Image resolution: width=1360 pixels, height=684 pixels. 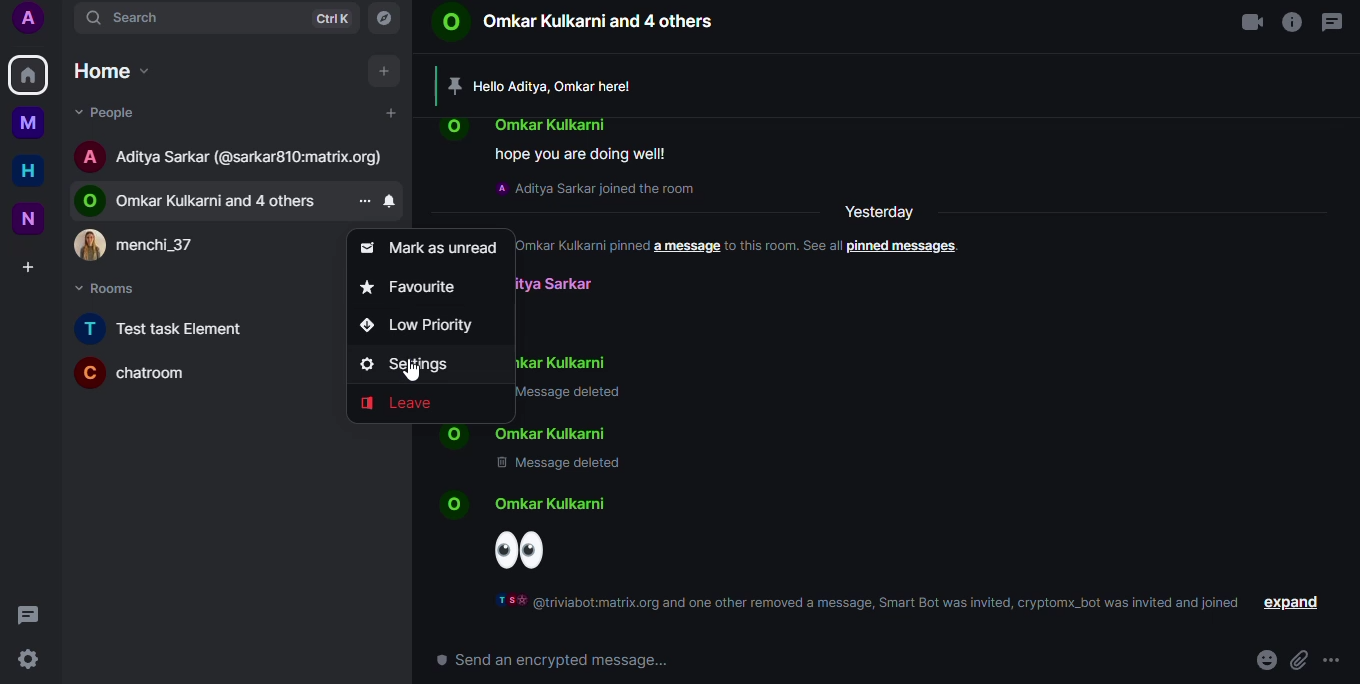 What do you see at coordinates (332, 19) in the screenshot?
I see `ctrlK` at bounding box center [332, 19].